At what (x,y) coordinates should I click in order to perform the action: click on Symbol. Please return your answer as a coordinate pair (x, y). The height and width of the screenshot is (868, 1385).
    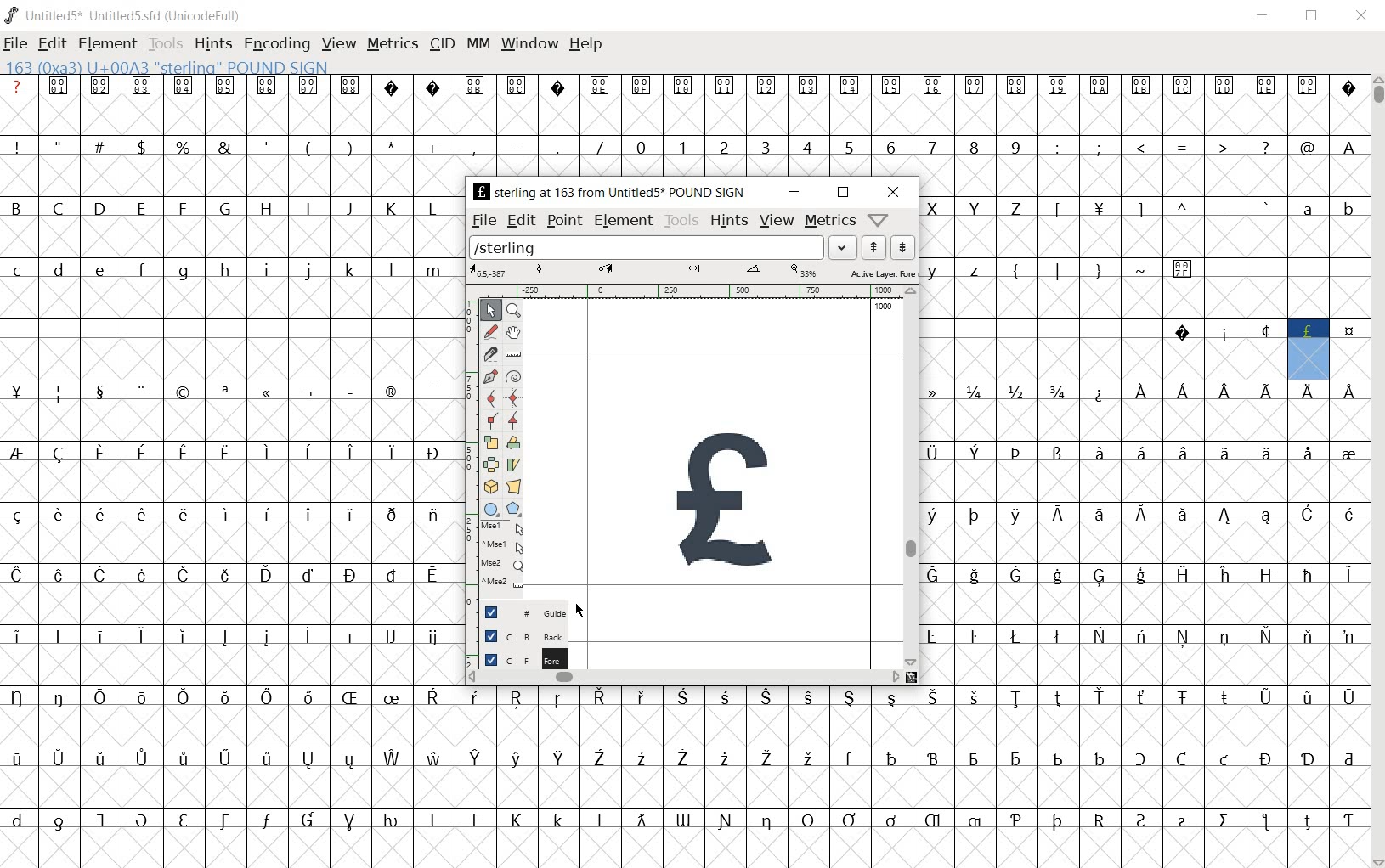
    Looking at the image, I should click on (1266, 758).